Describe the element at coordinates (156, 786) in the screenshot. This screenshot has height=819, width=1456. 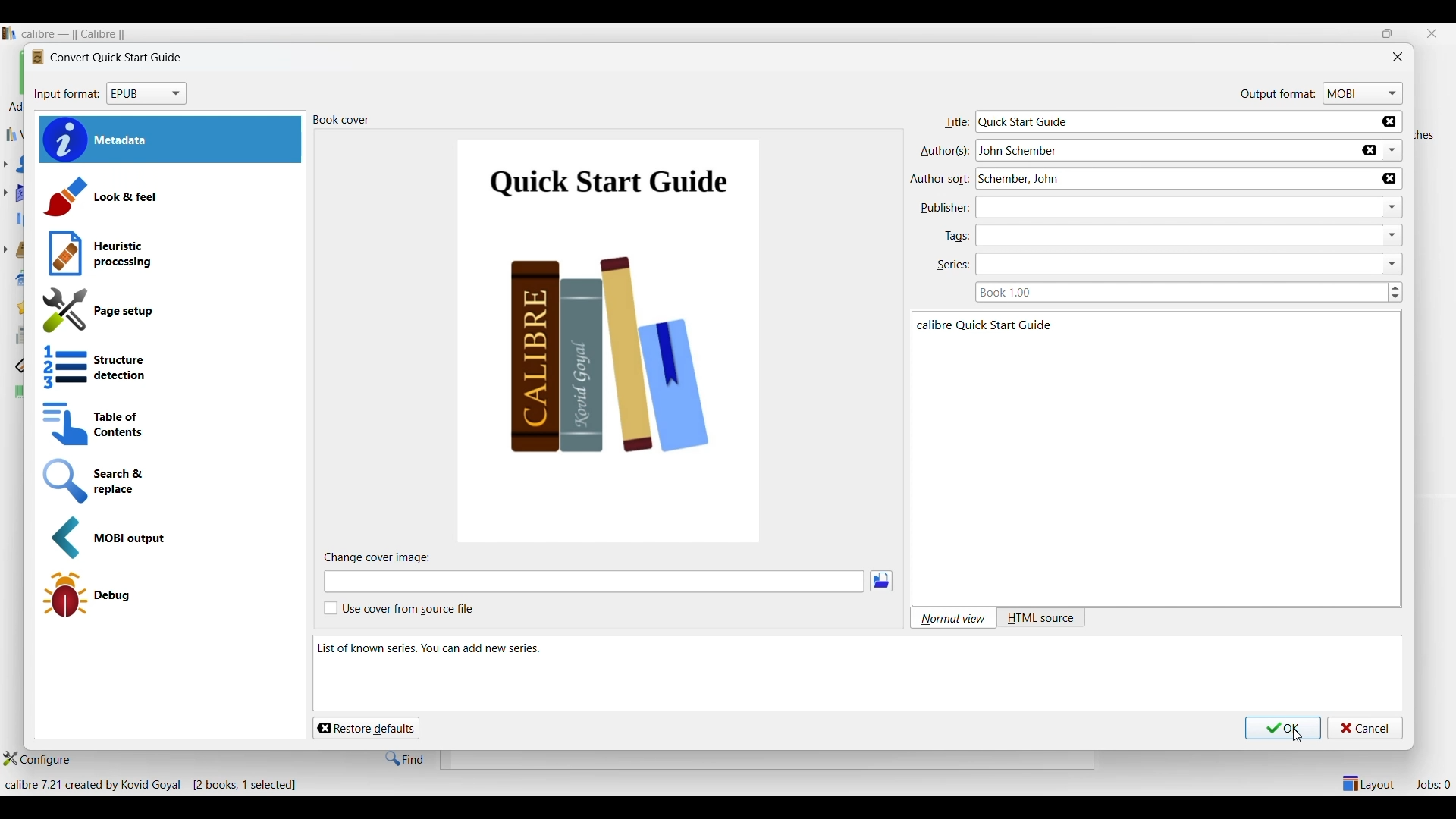
I see `Details about software` at that location.